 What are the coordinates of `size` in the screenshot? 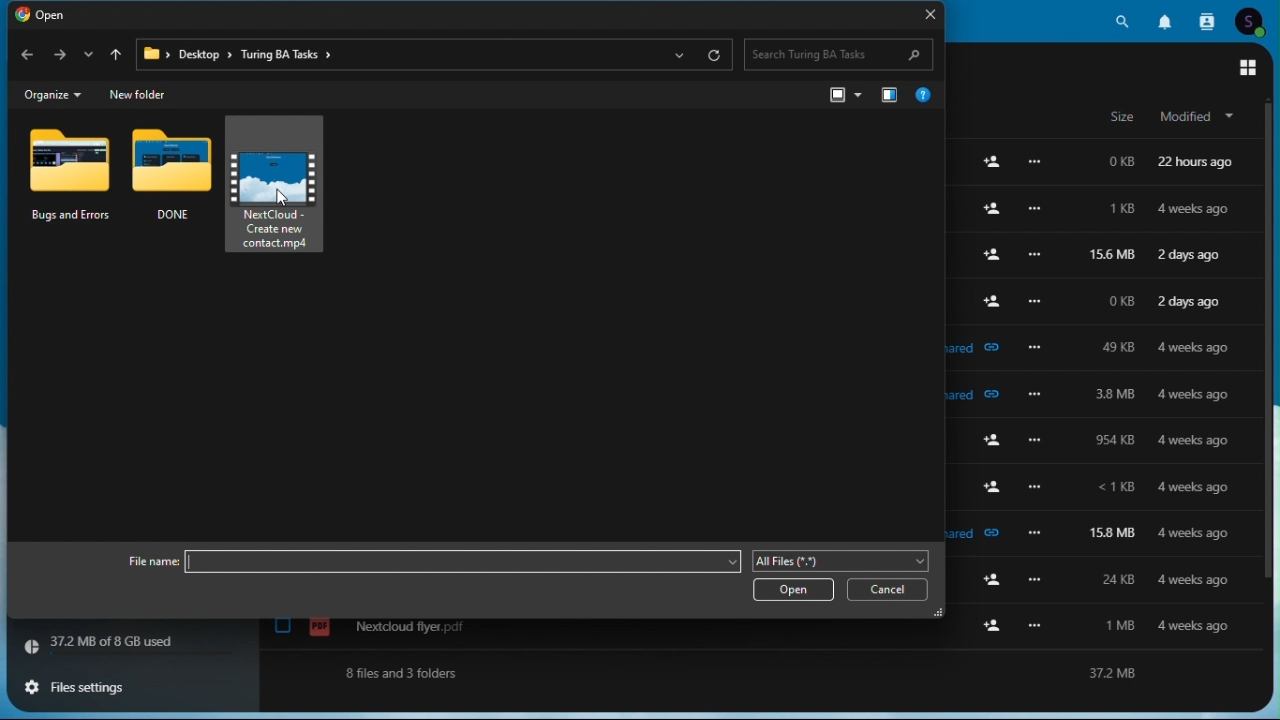 It's located at (1120, 118).